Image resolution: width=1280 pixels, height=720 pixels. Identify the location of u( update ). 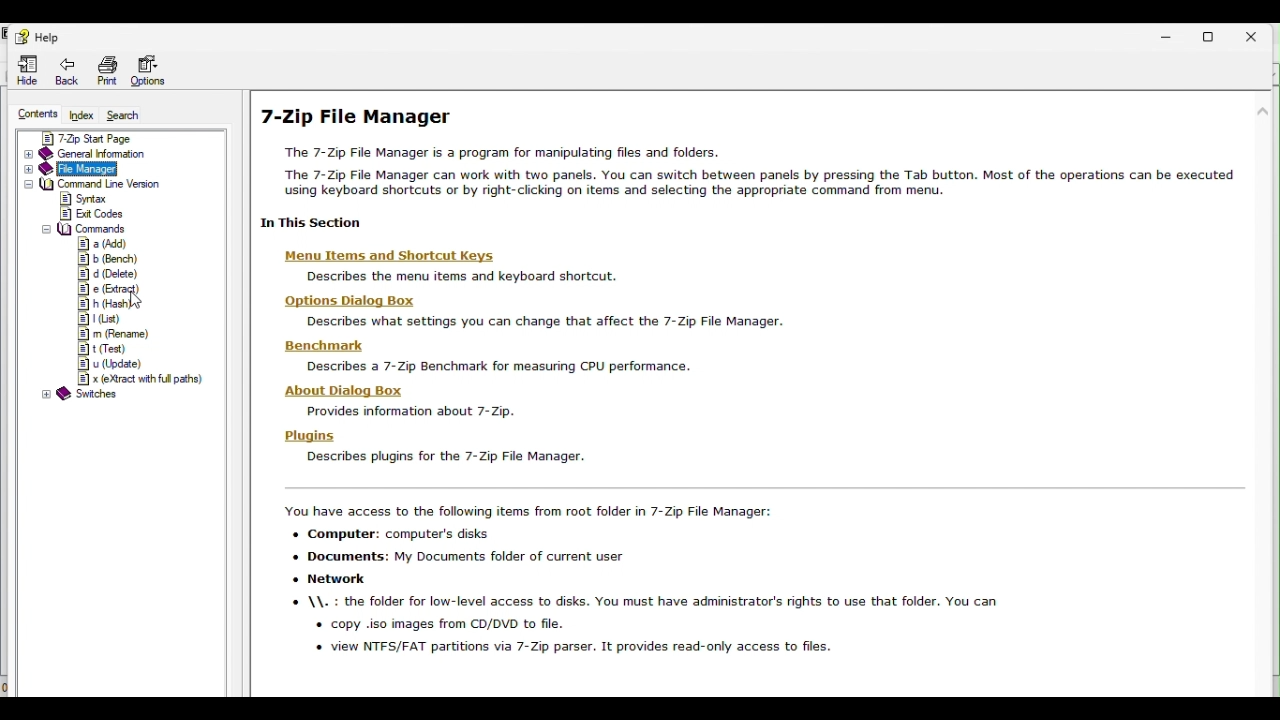
(105, 362).